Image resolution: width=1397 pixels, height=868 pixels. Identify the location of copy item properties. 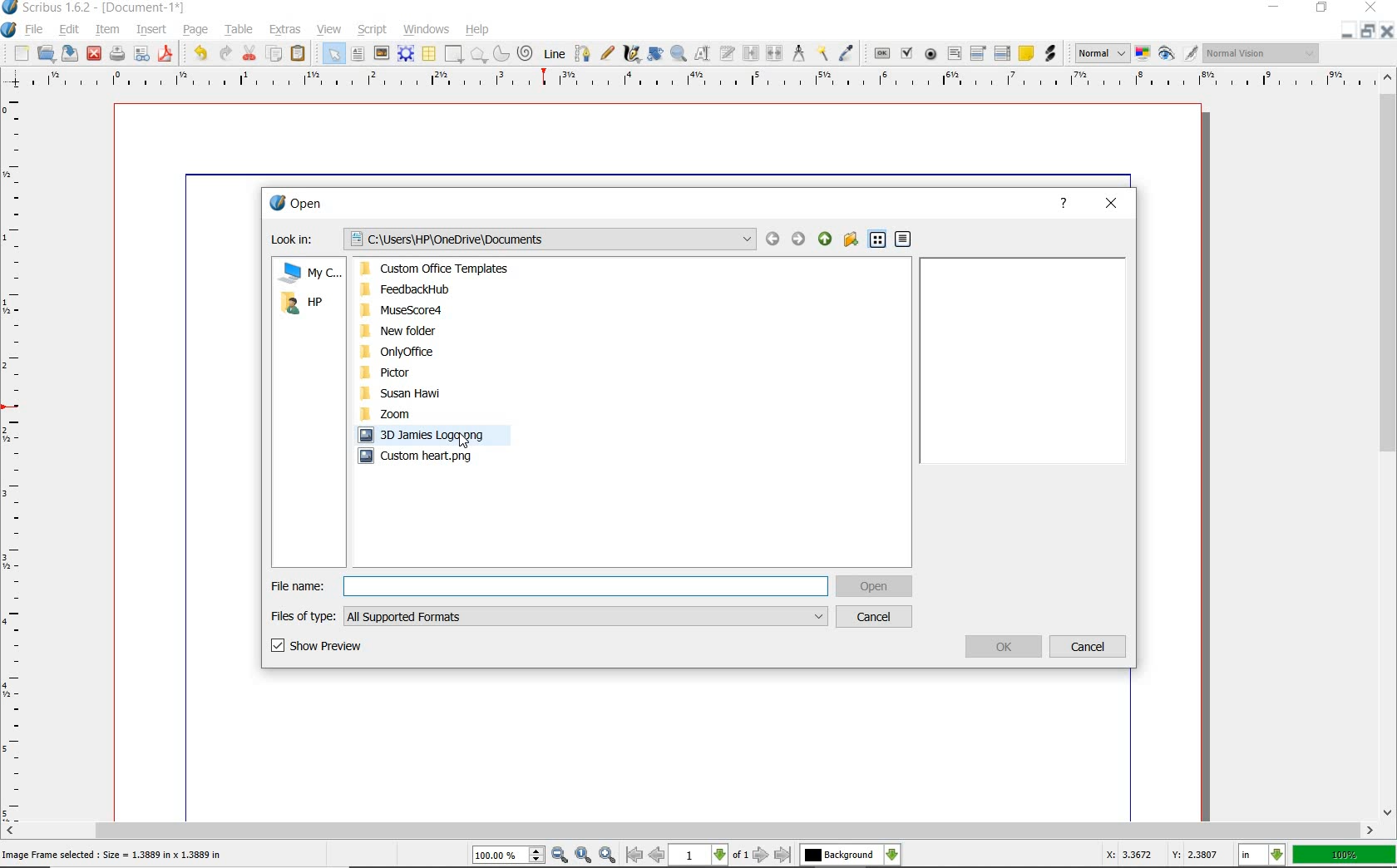
(822, 52).